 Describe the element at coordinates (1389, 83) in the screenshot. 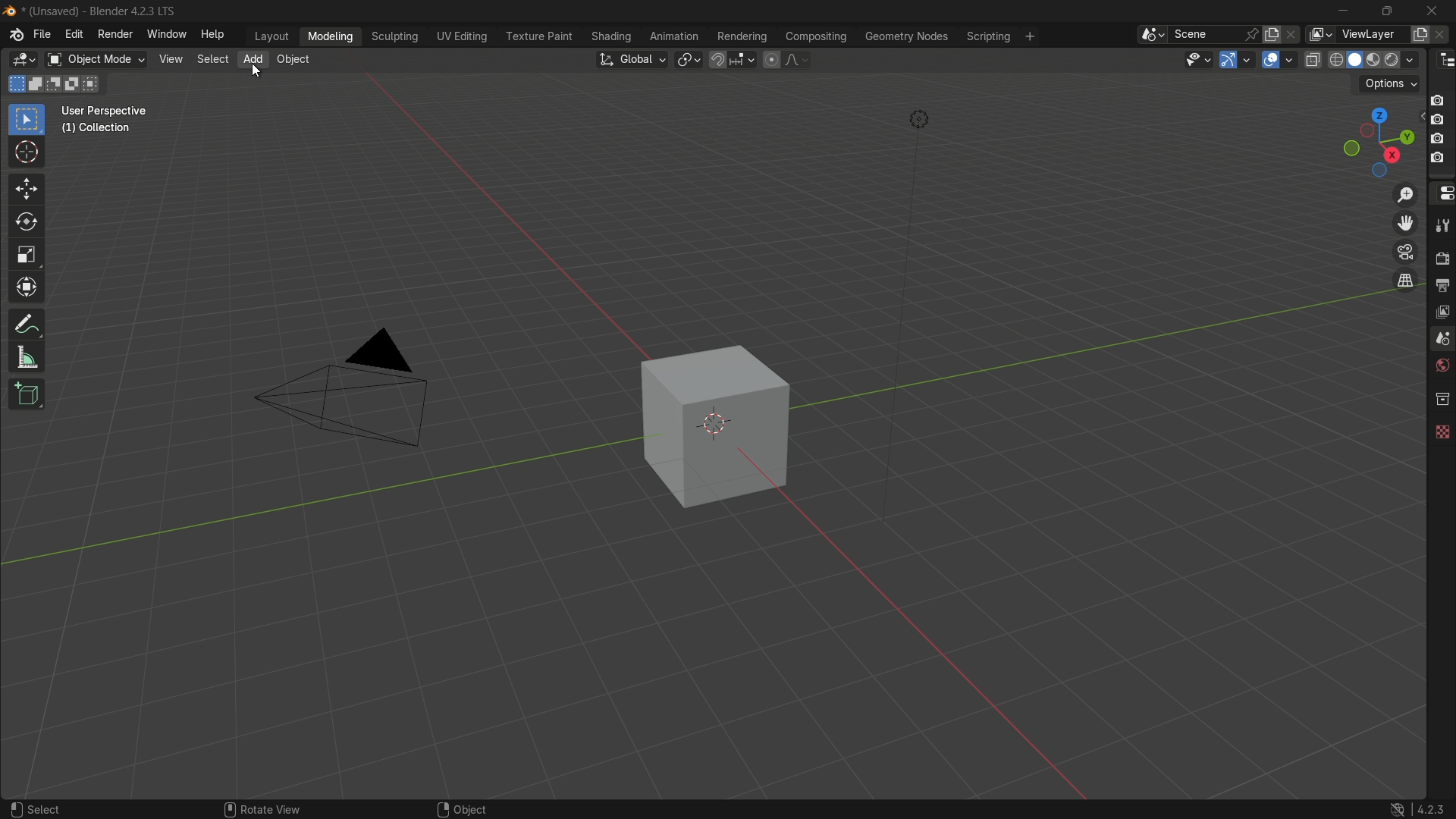

I see `options` at that location.